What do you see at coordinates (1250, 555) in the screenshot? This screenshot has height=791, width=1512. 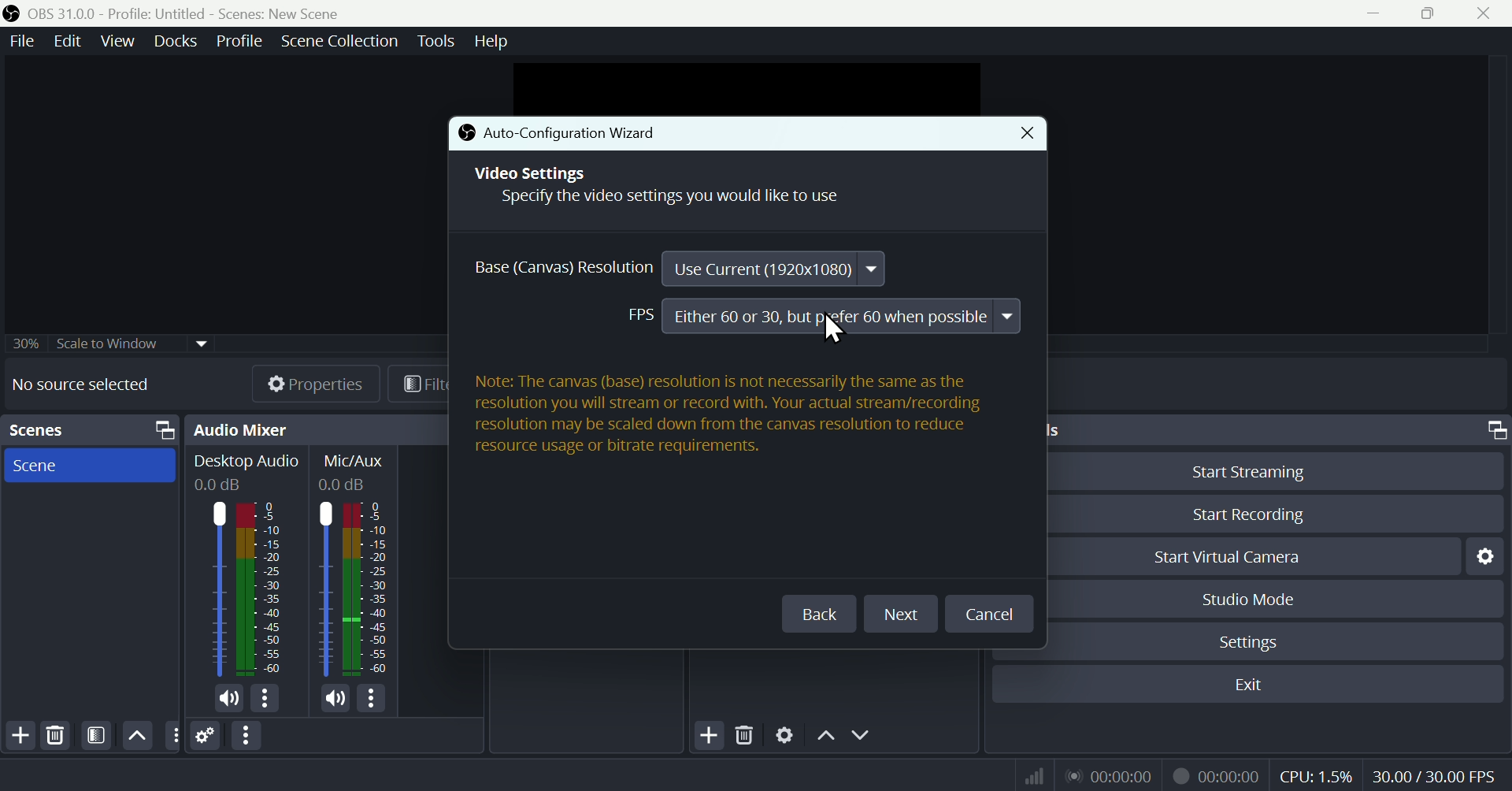 I see `Start Virtual Camera` at bounding box center [1250, 555].